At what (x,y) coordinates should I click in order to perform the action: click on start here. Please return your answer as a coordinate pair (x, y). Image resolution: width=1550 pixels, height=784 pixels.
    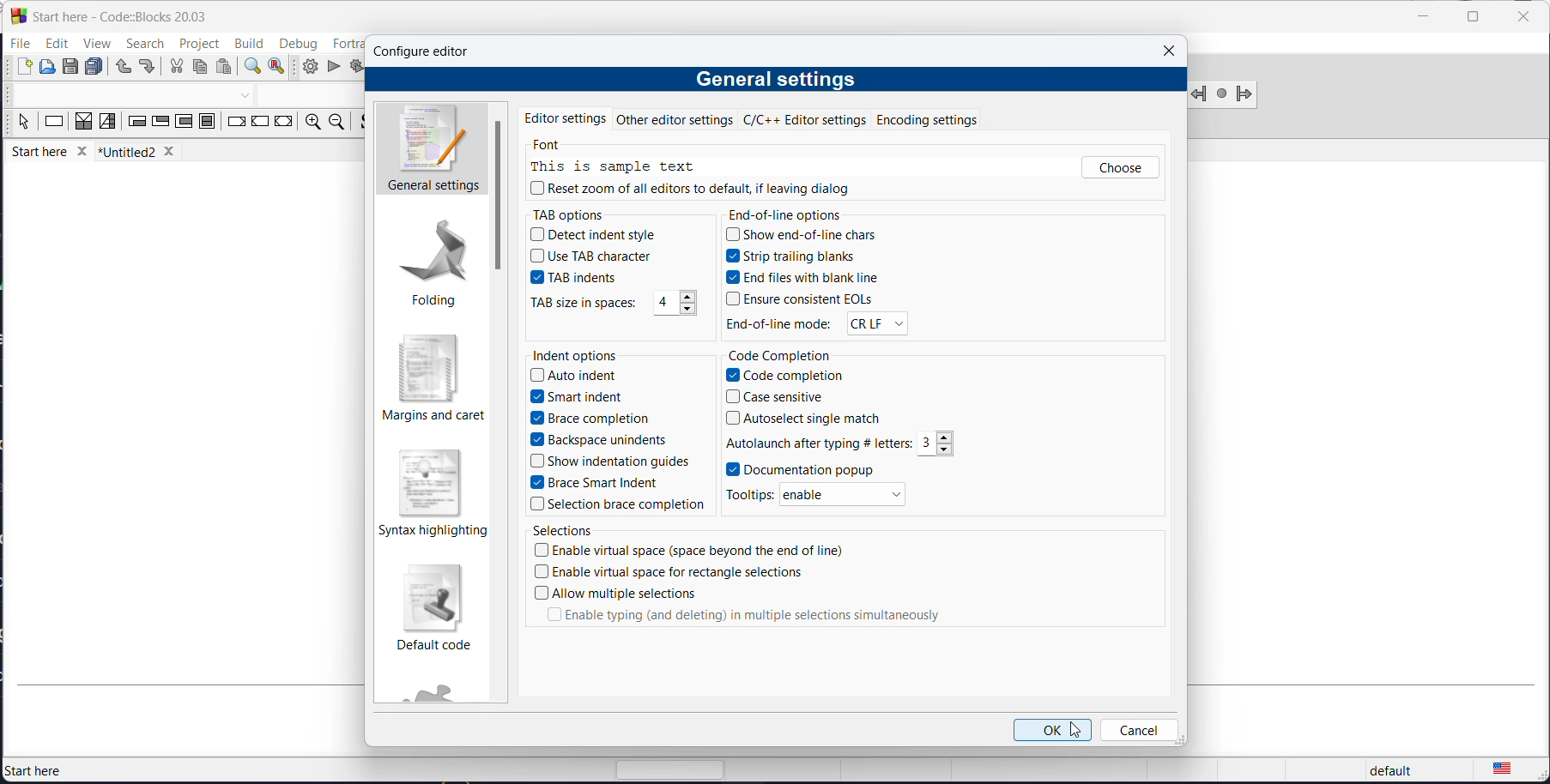
    Looking at the image, I should click on (51, 154).